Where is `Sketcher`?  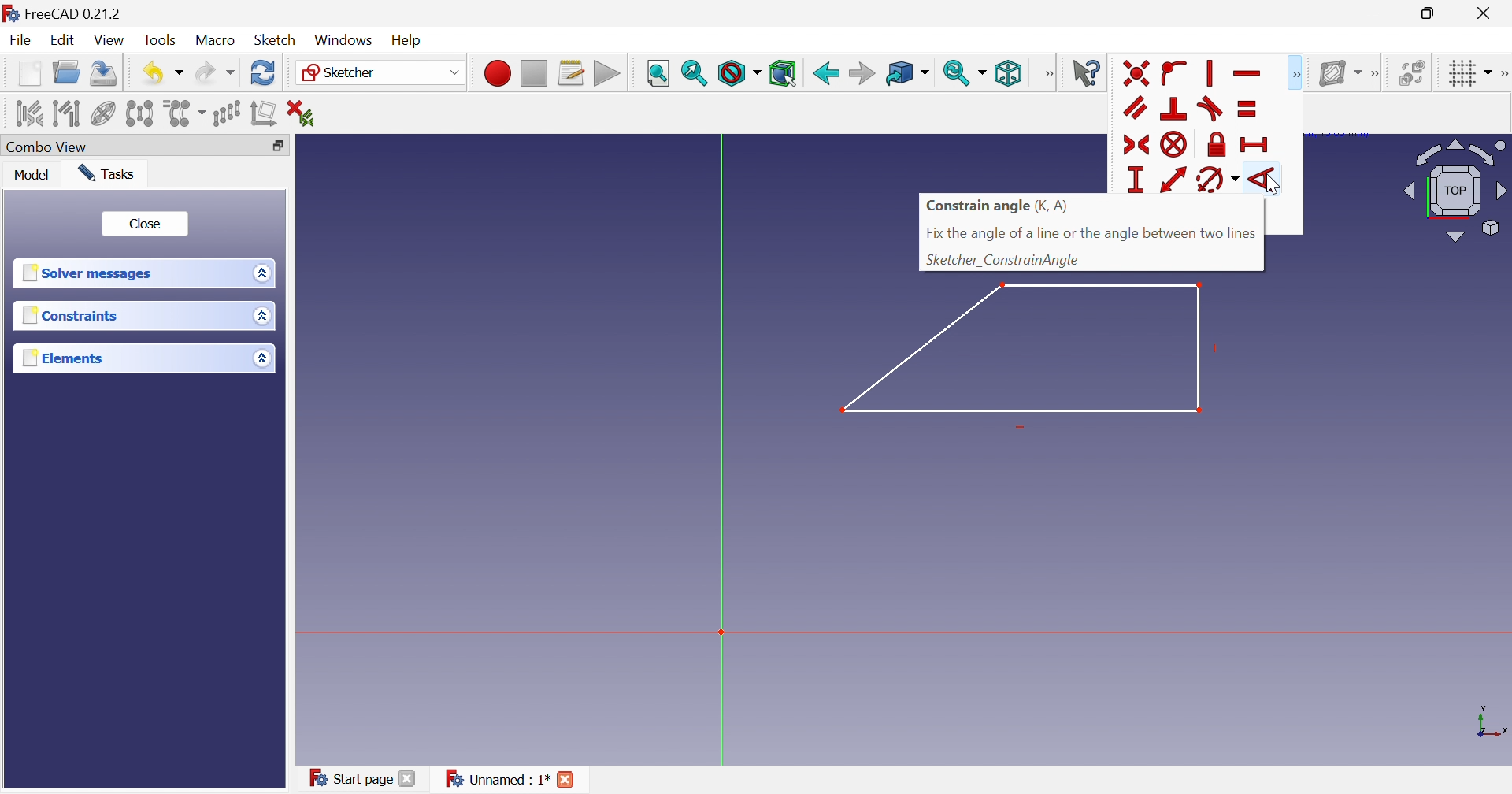 Sketcher is located at coordinates (343, 73).